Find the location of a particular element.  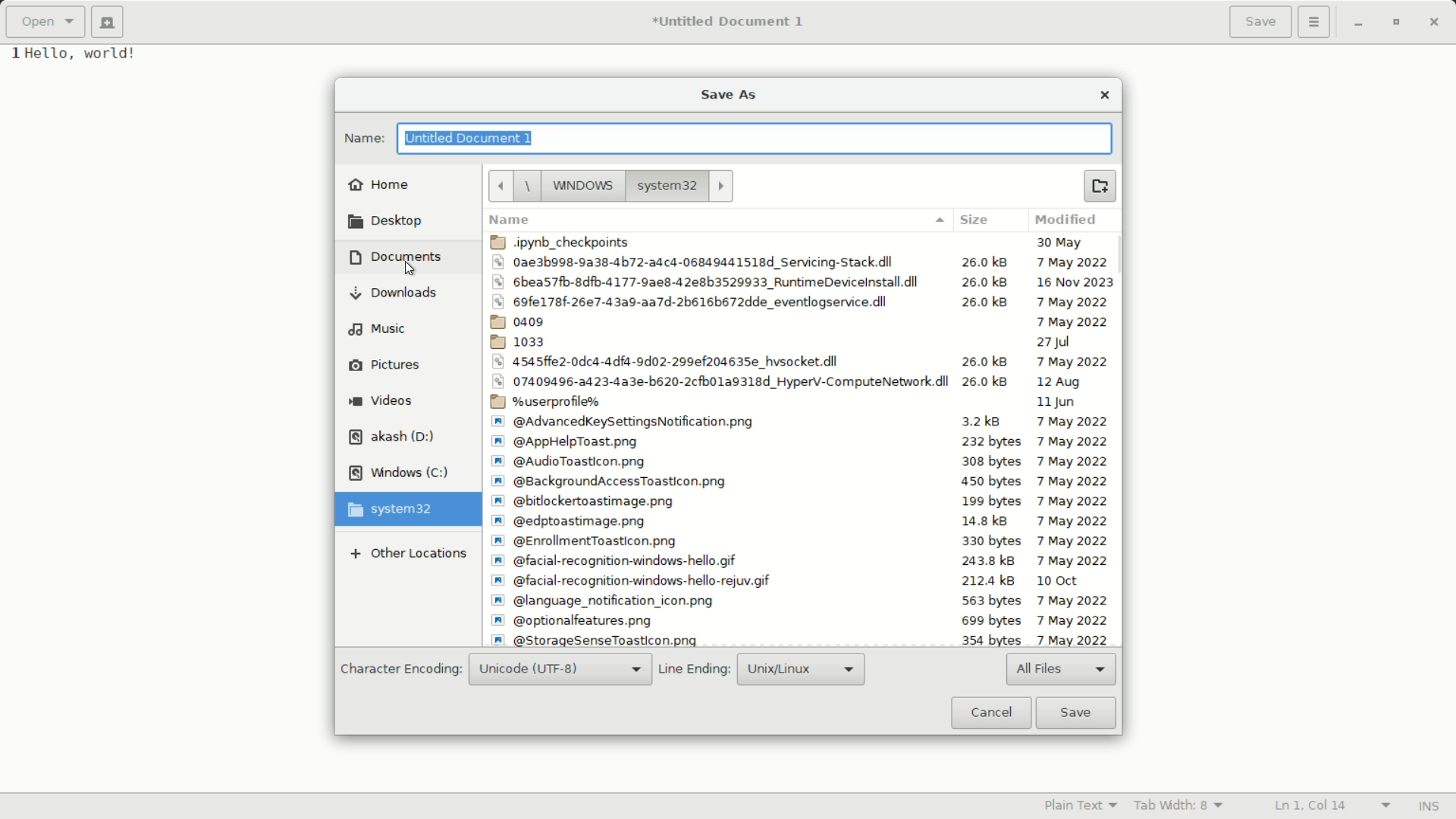

maximize or restore is located at coordinates (1401, 24).